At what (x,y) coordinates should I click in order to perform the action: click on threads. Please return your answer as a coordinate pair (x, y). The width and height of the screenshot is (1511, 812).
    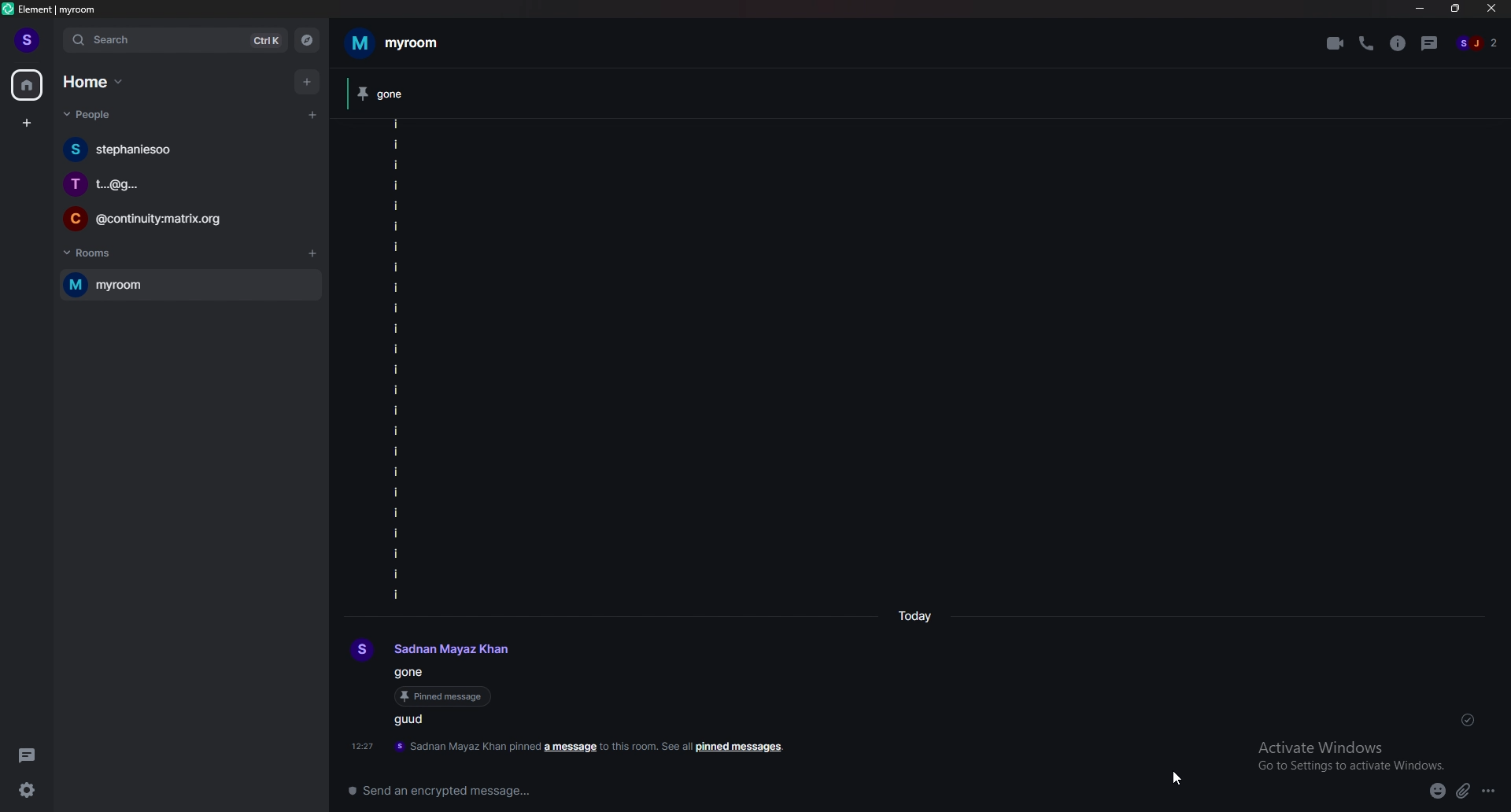
    Looking at the image, I should click on (1430, 43).